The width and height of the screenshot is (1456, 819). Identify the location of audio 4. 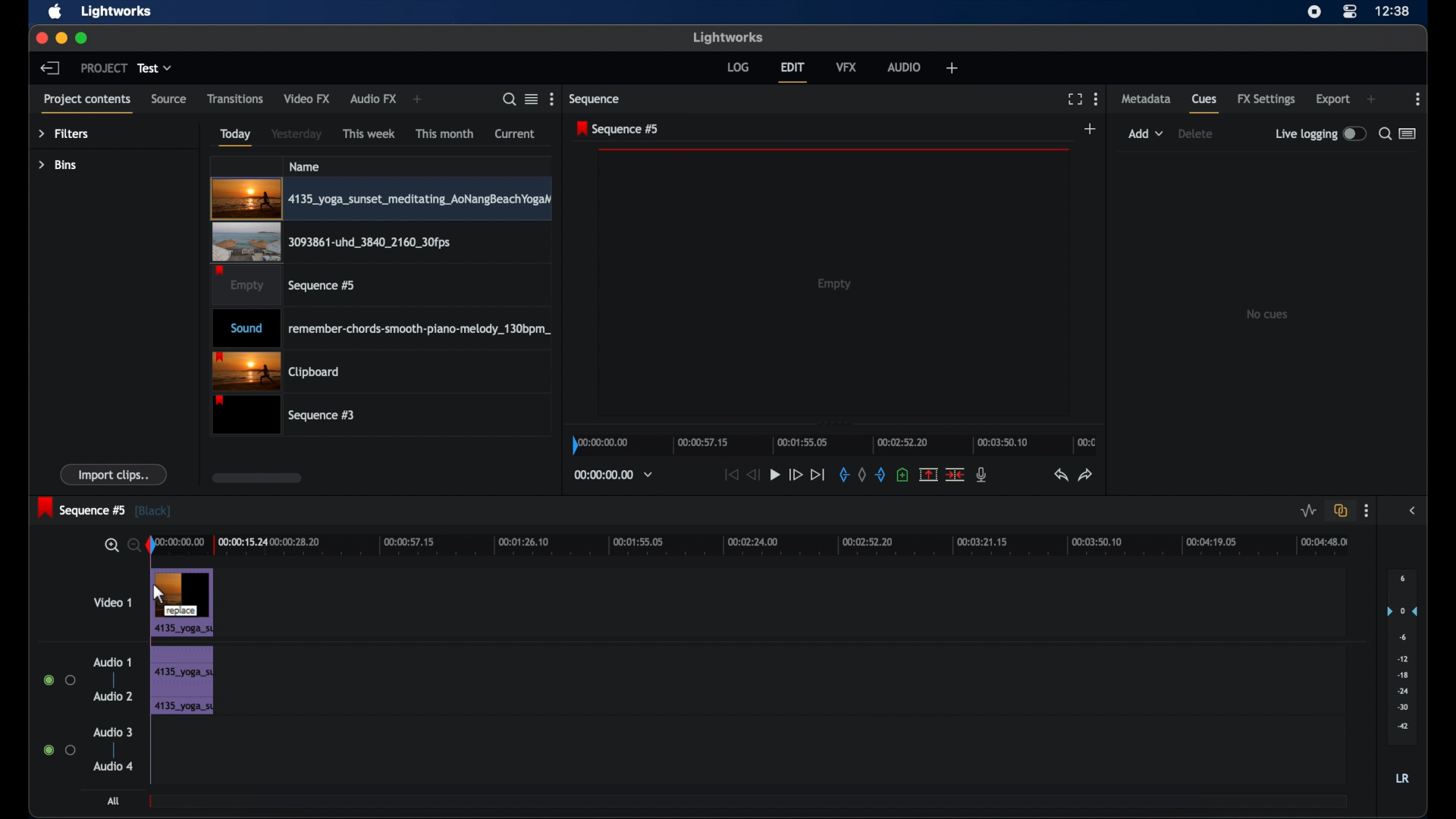
(111, 767).